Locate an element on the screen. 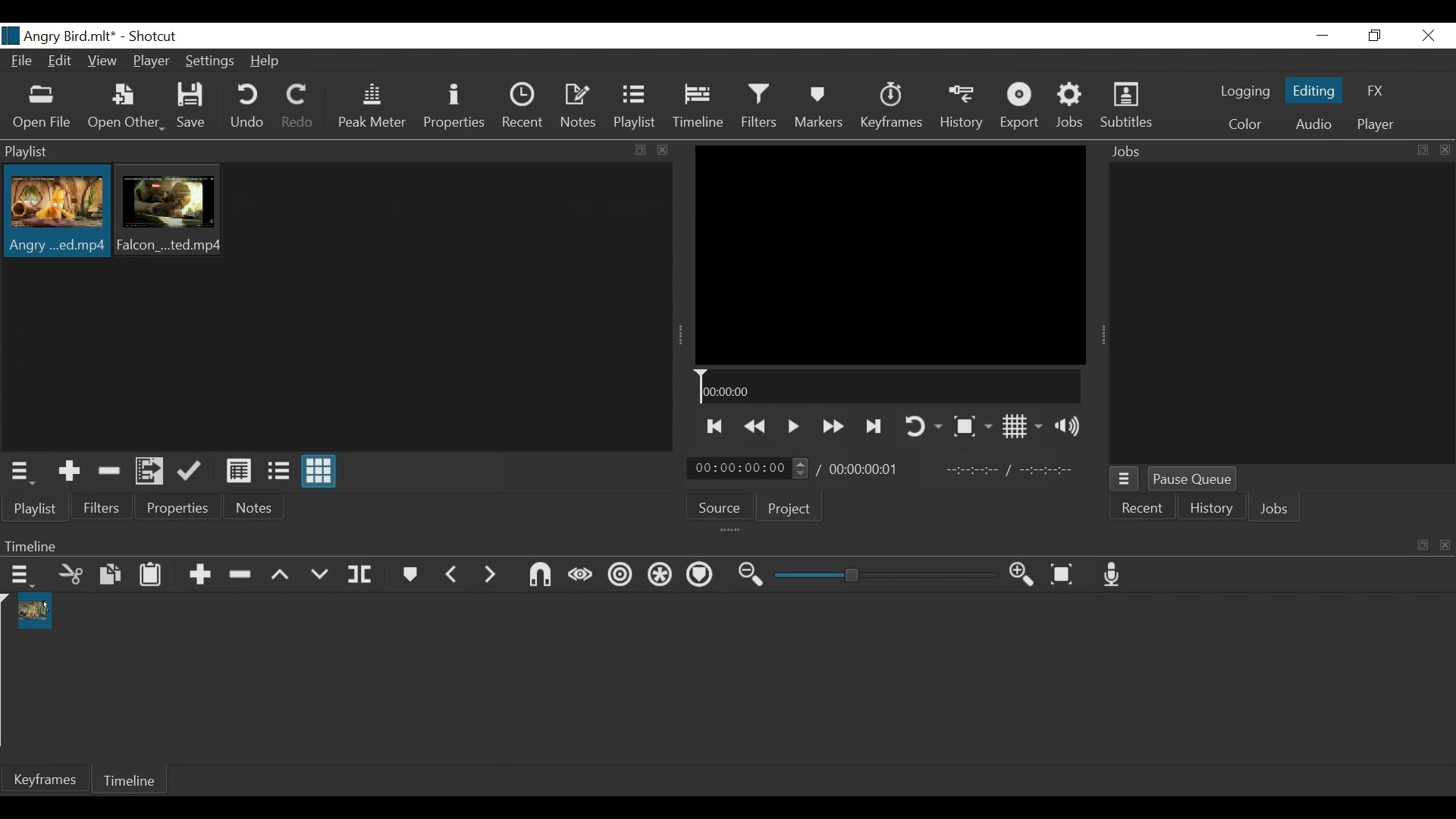 The width and height of the screenshot is (1456, 819). History is located at coordinates (962, 109).